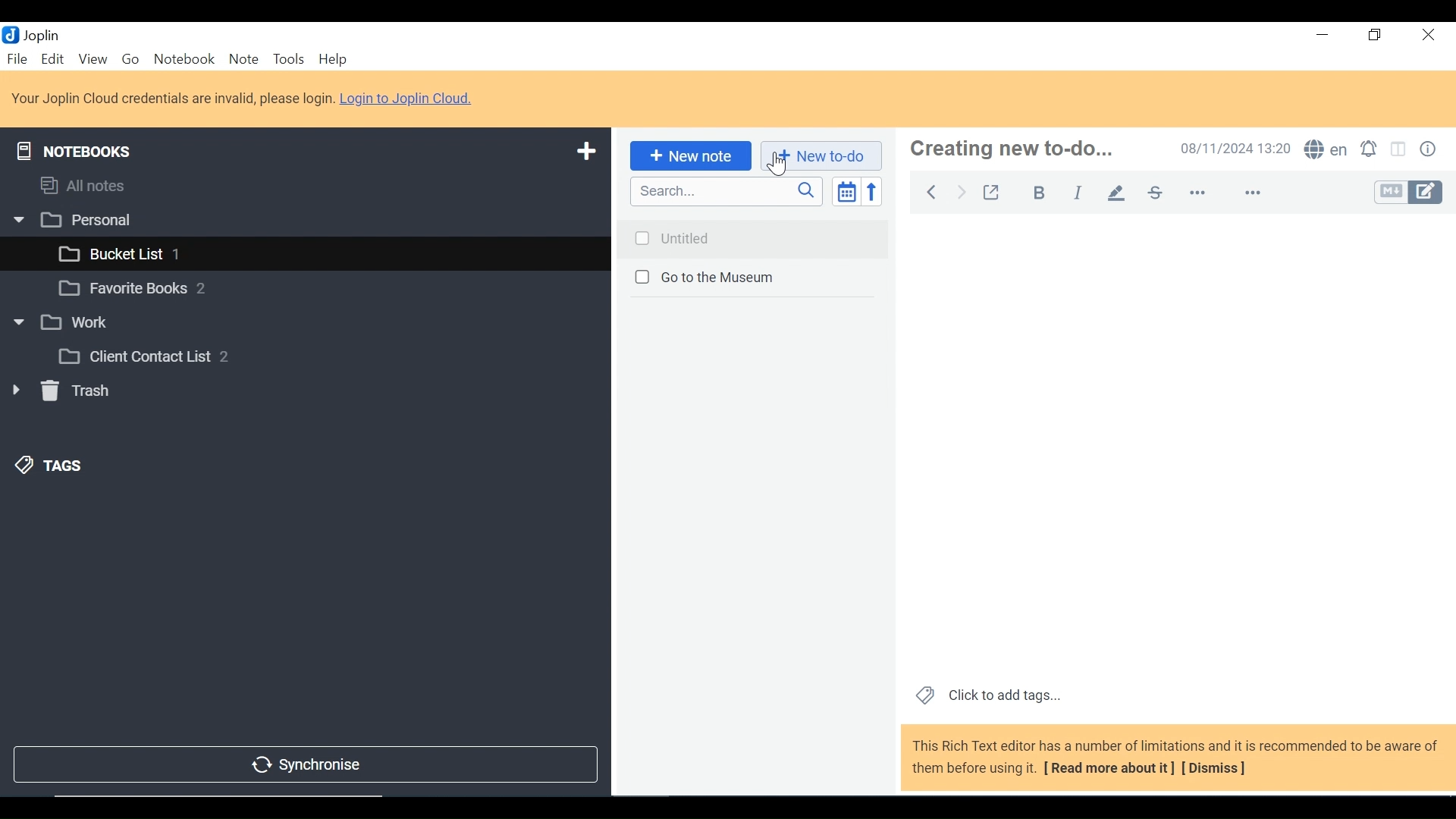  I want to click on Add New to-do, so click(821, 156).